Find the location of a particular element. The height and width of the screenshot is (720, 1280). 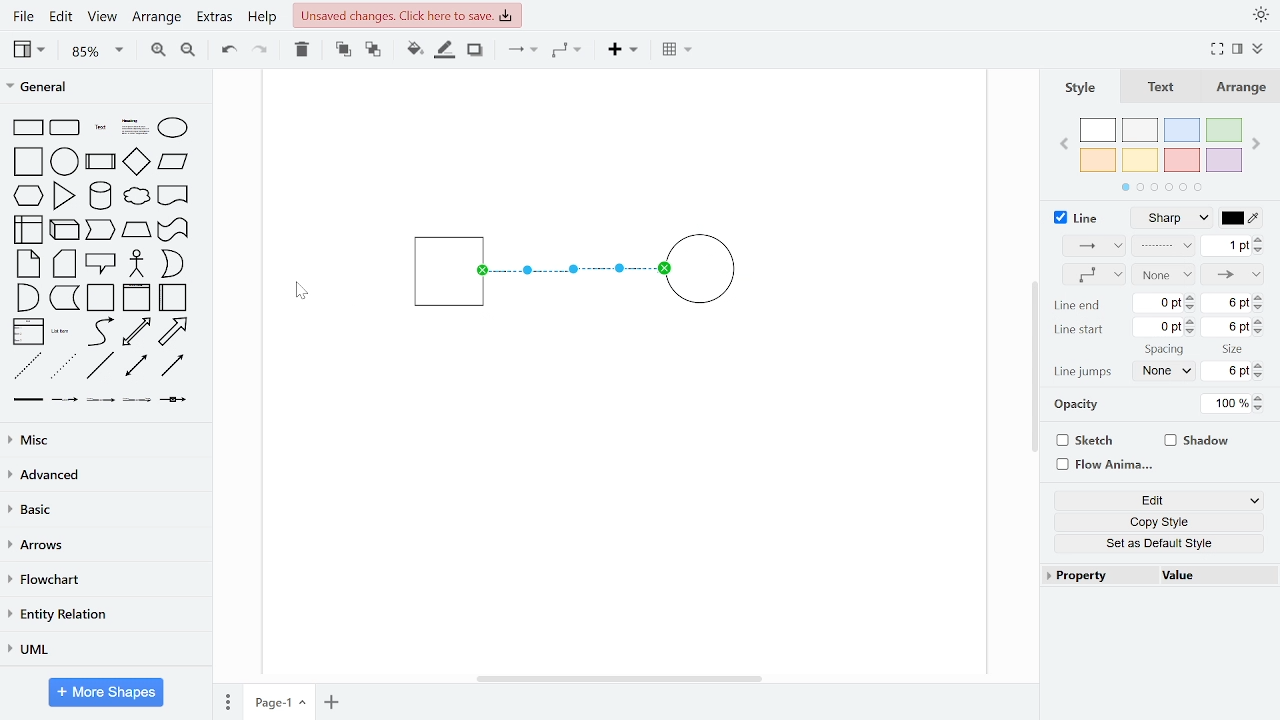

flowchart is located at coordinates (102, 581).